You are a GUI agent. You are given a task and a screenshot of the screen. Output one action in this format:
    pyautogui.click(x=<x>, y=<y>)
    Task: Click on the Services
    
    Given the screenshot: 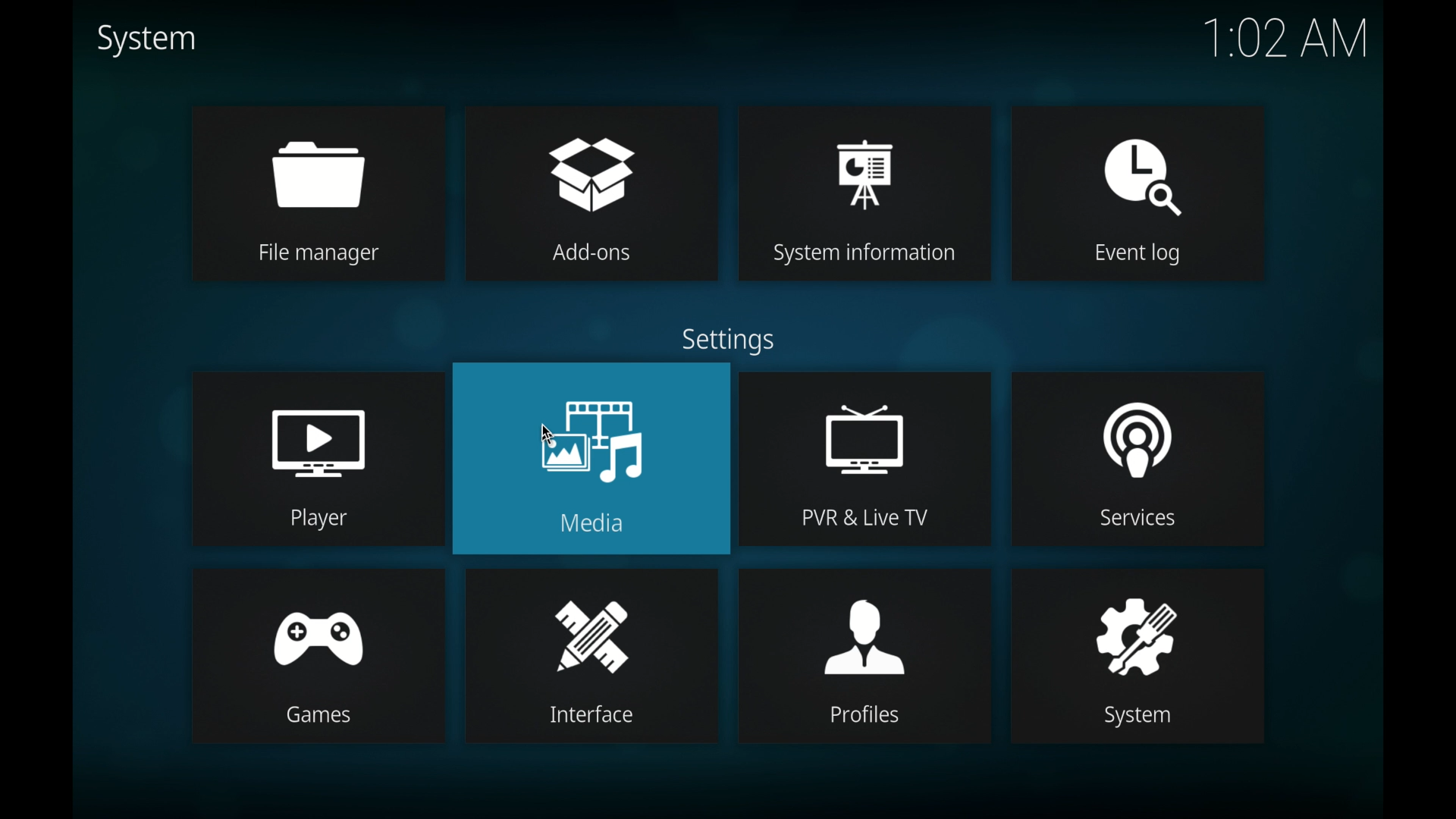 What is the action you would take?
    pyautogui.click(x=1141, y=521)
    